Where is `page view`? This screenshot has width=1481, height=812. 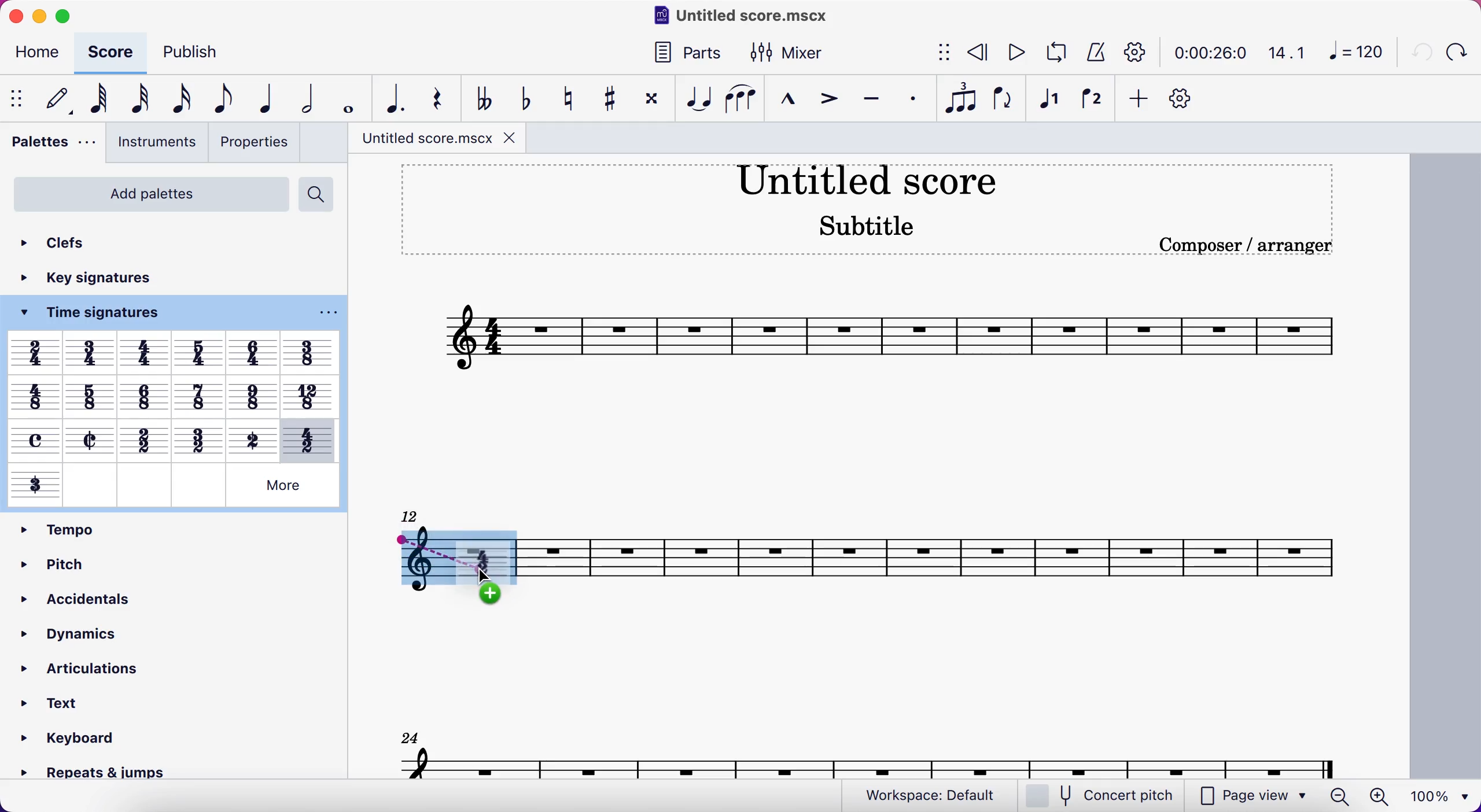
page view is located at coordinates (1213, 795).